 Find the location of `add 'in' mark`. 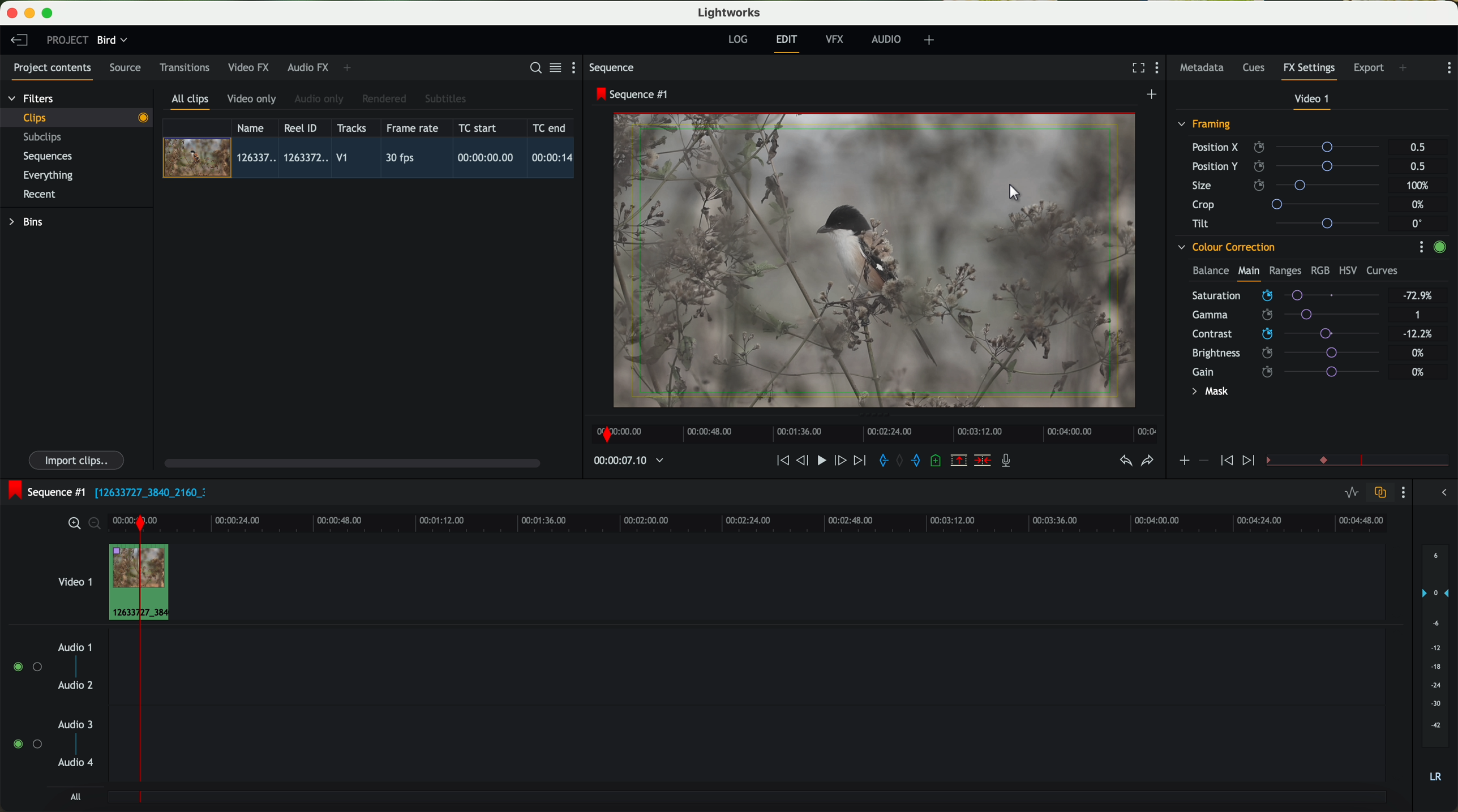

add 'in' mark is located at coordinates (880, 462).